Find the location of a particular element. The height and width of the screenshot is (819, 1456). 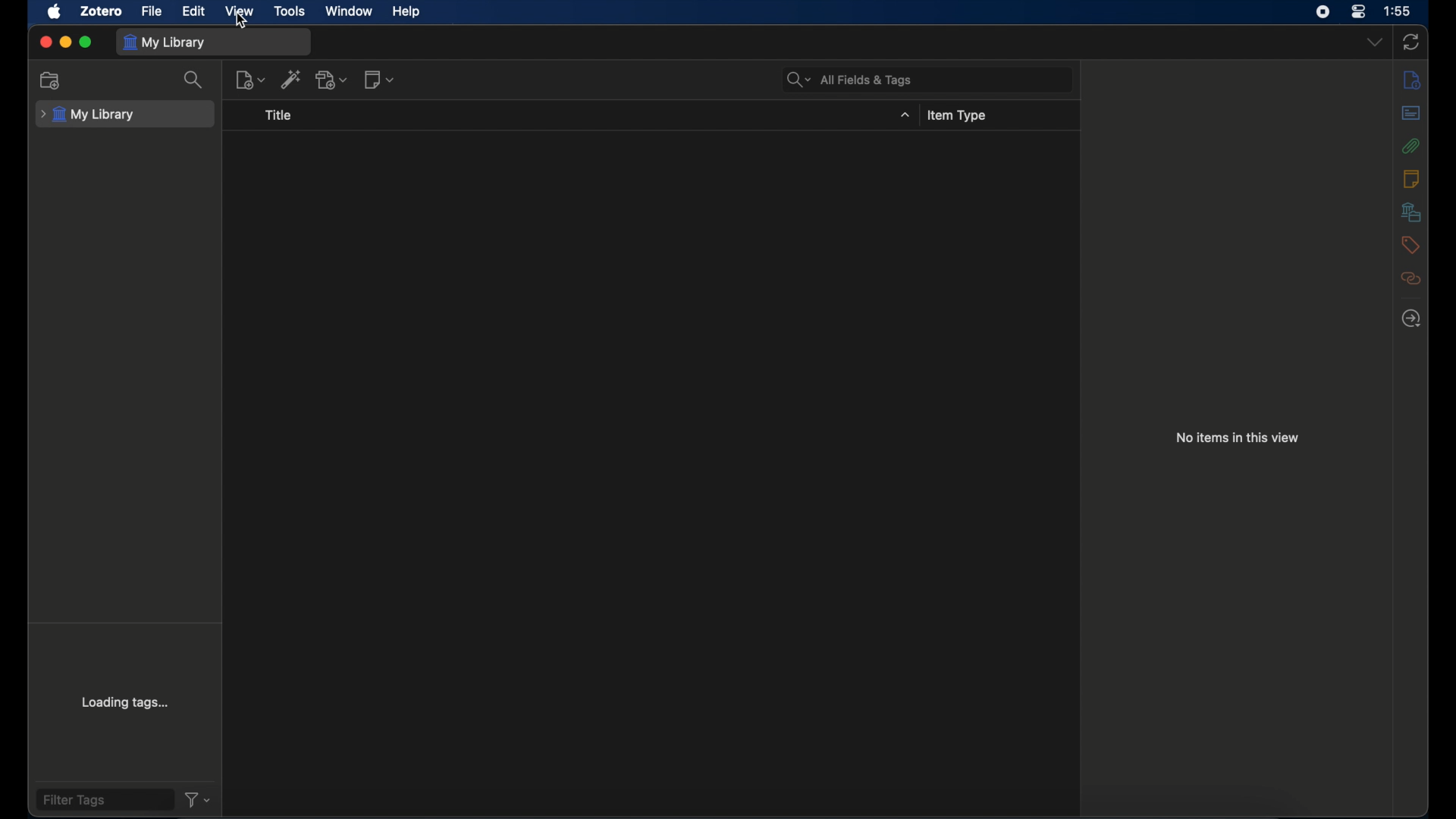

add attachments is located at coordinates (332, 79).